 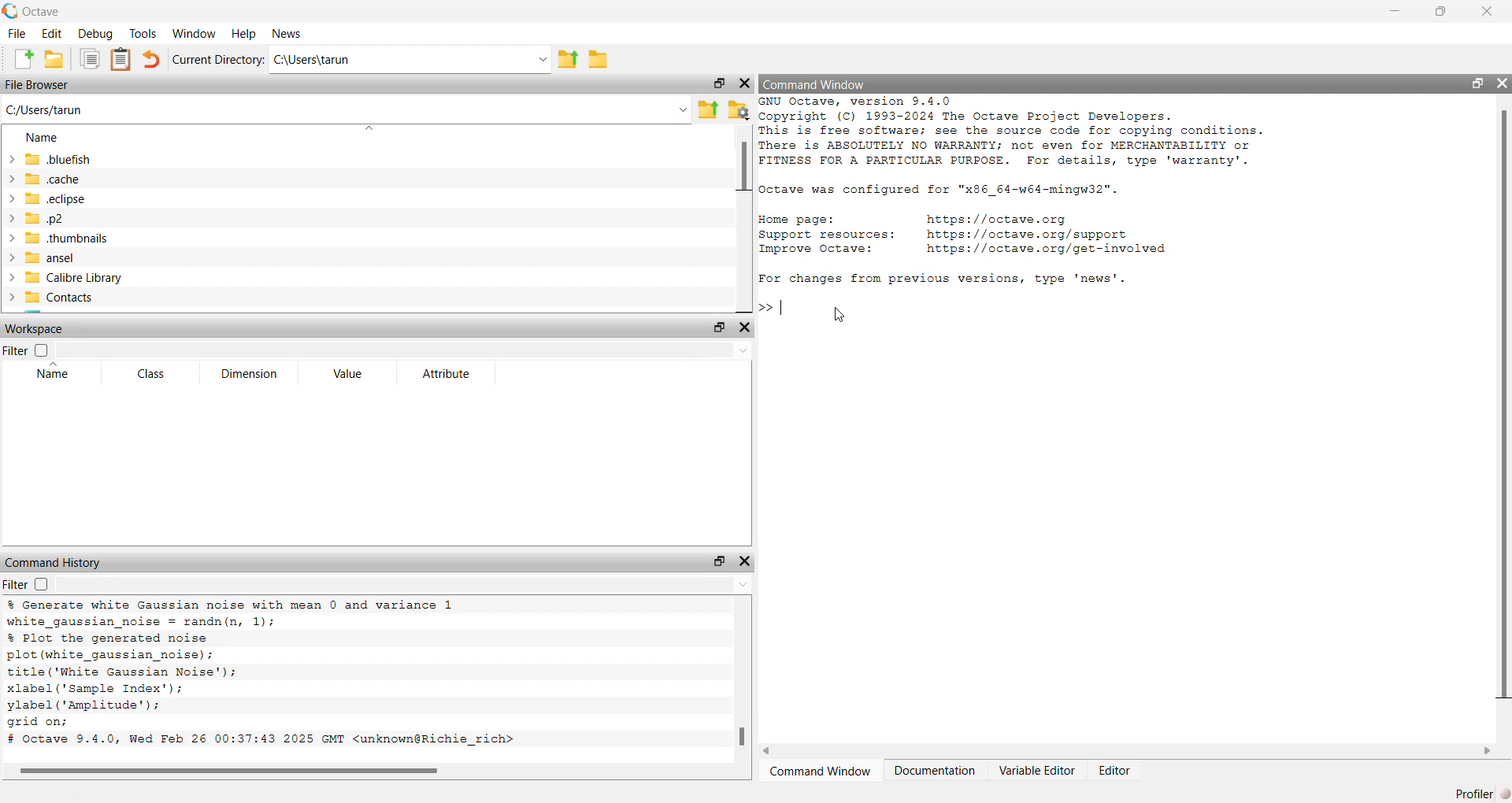 What do you see at coordinates (448, 375) in the screenshot?
I see `Attribute` at bounding box center [448, 375].